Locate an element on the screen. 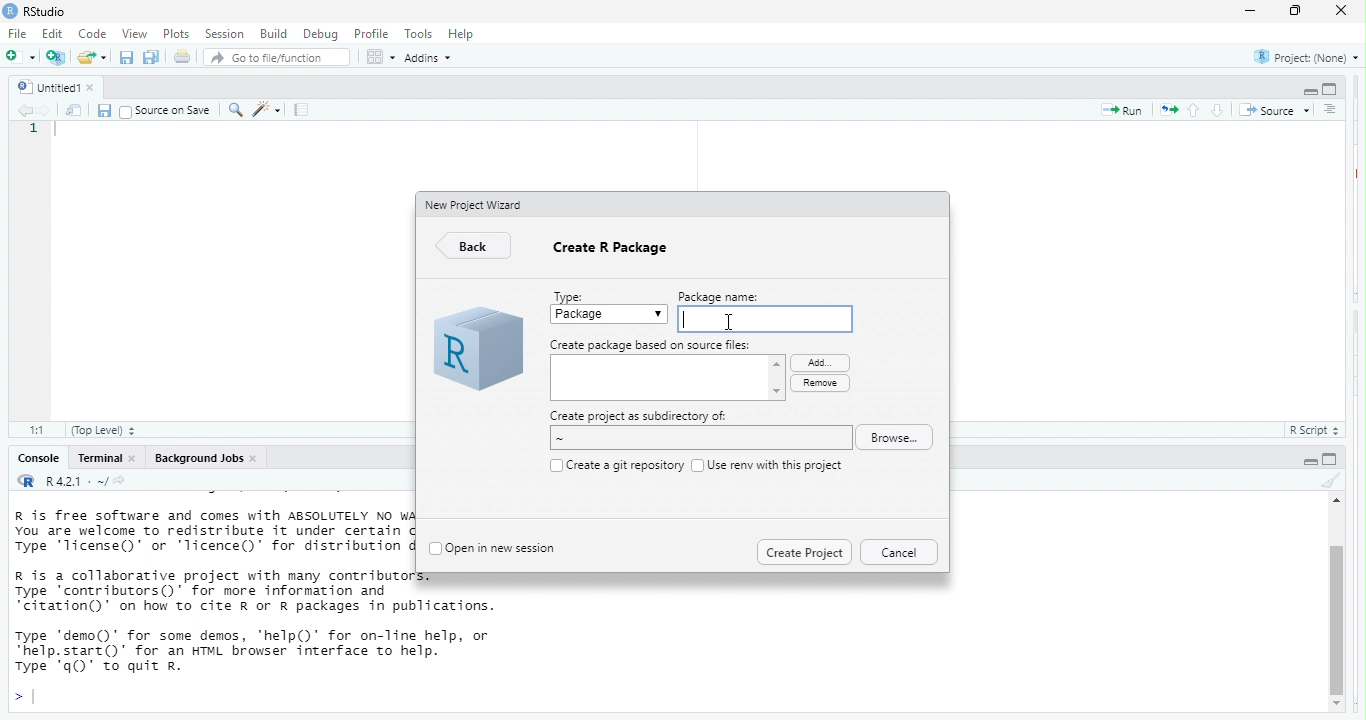  (Top Level)  is located at coordinates (104, 431).